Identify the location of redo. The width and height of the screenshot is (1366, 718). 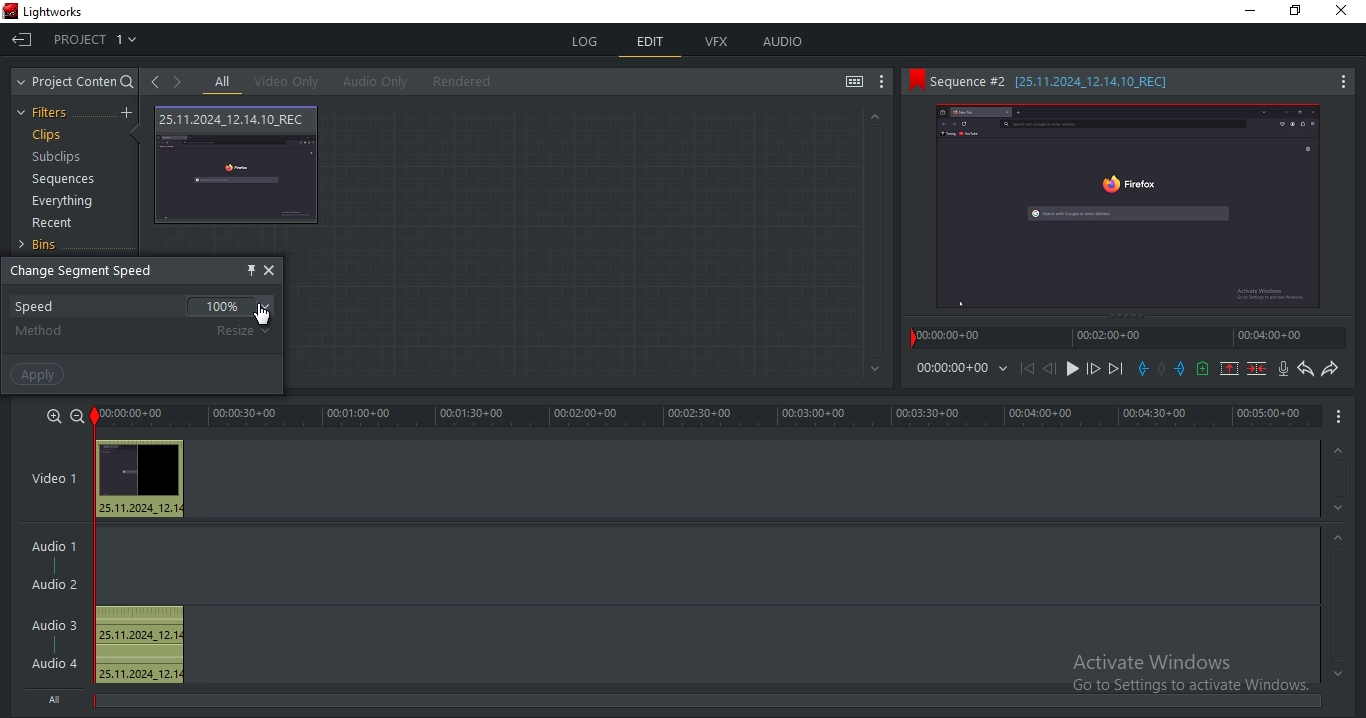
(1330, 370).